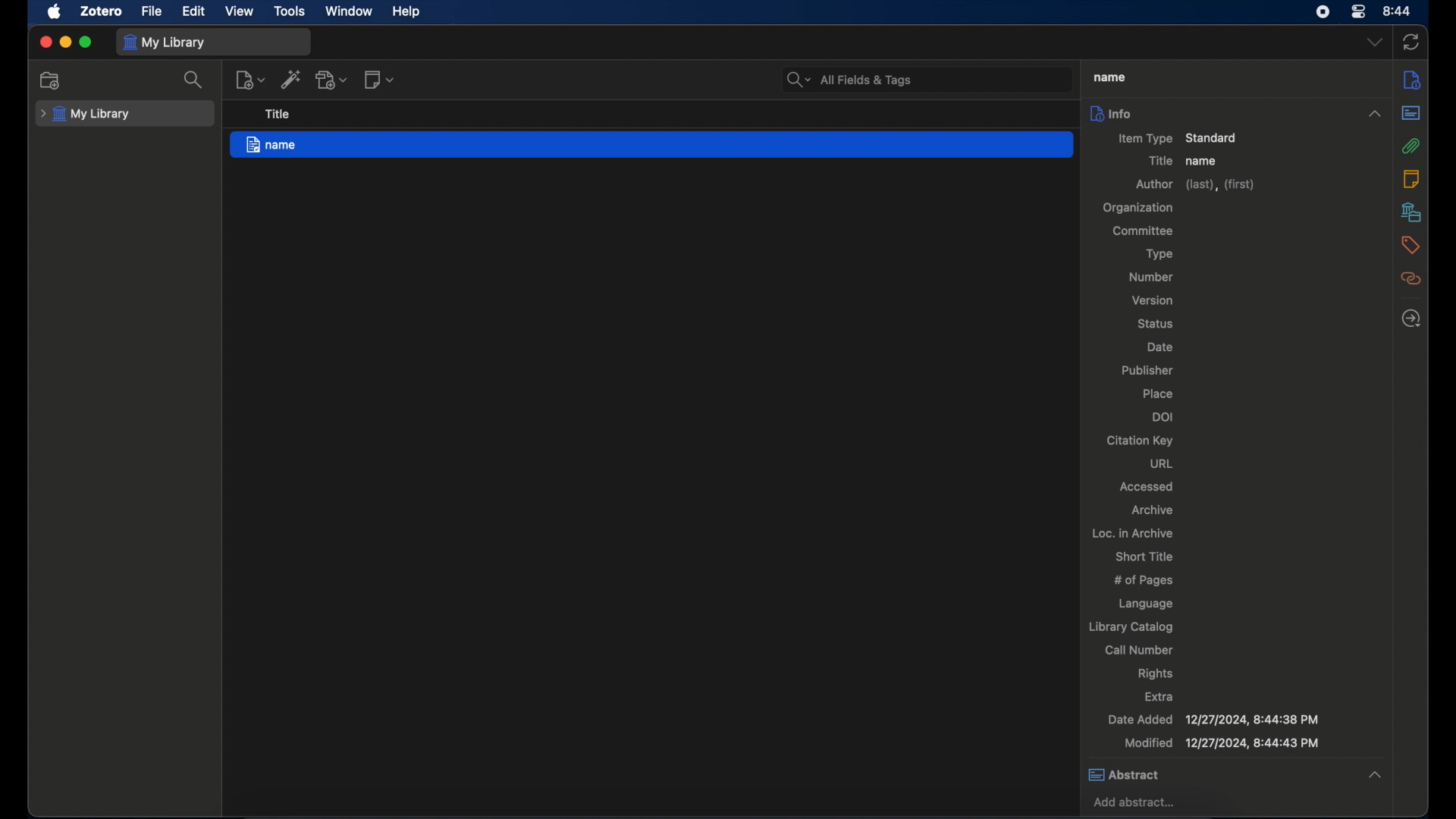  I want to click on short title, so click(1143, 556).